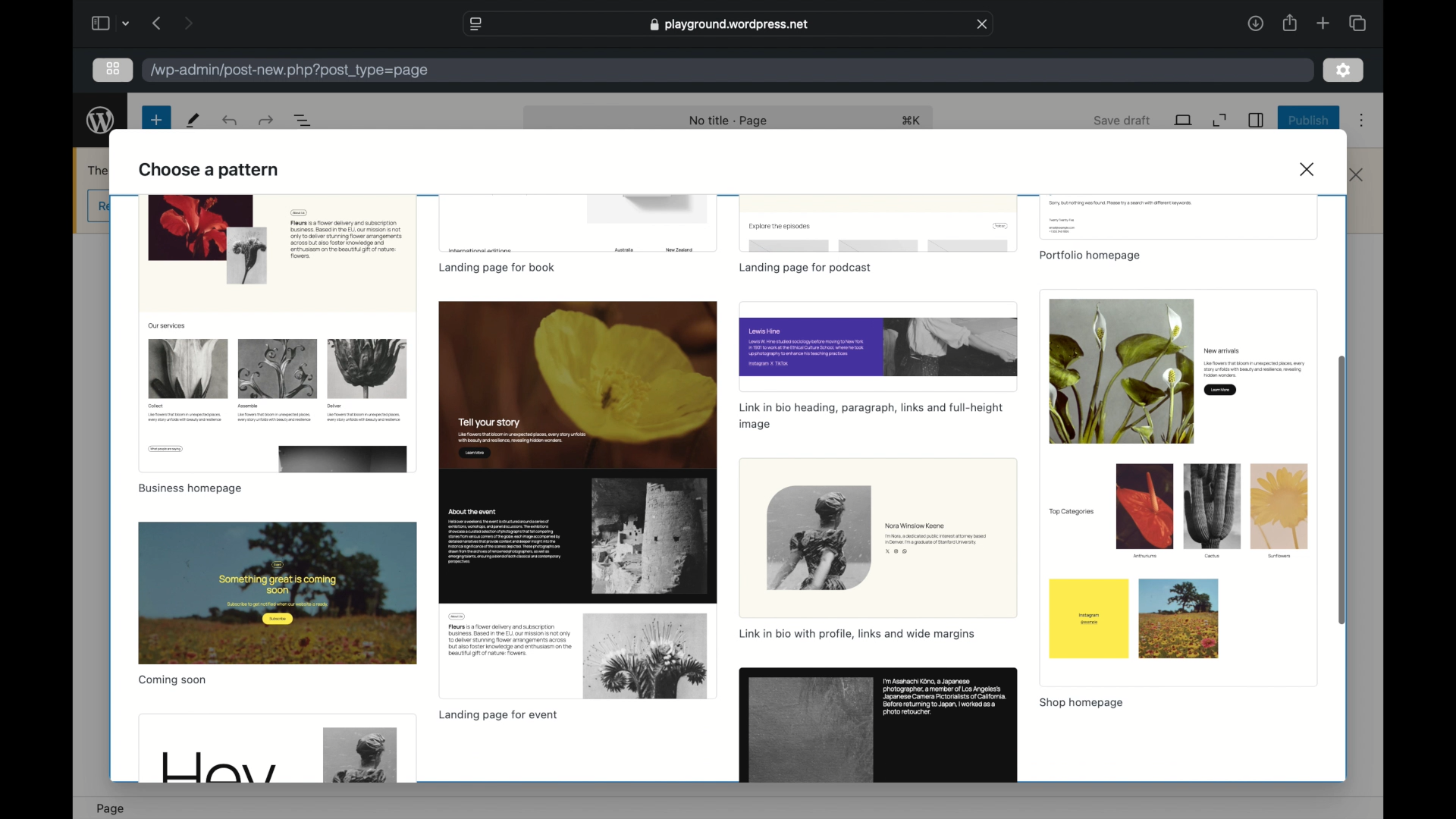 This screenshot has height=819, width=1456. Describe the element at coordinates (871, 416) in the screenshot. I see `link in bio heading, paragraph, links and full-height image` at that location.